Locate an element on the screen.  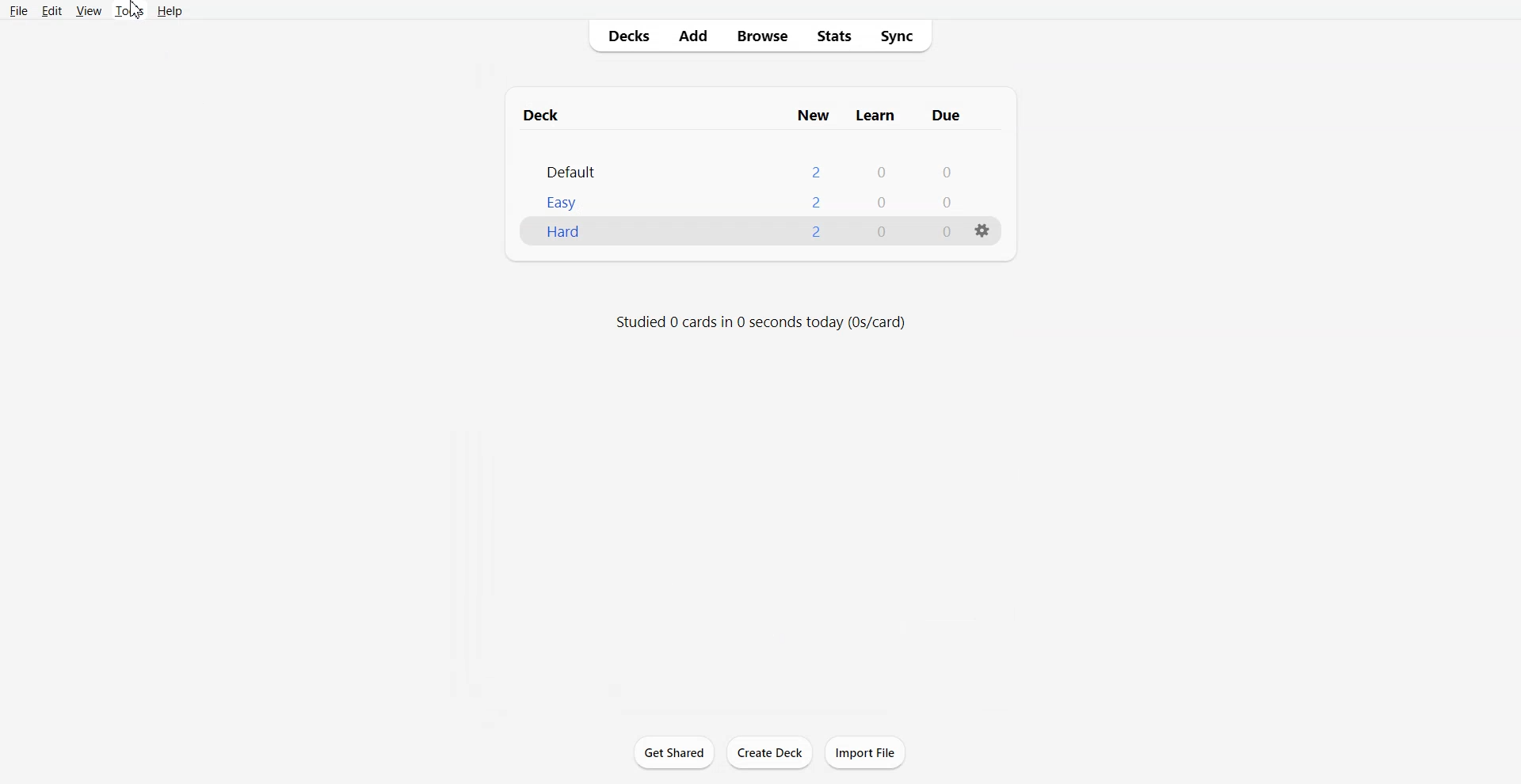
get shared is located at coordinates (663, 748).